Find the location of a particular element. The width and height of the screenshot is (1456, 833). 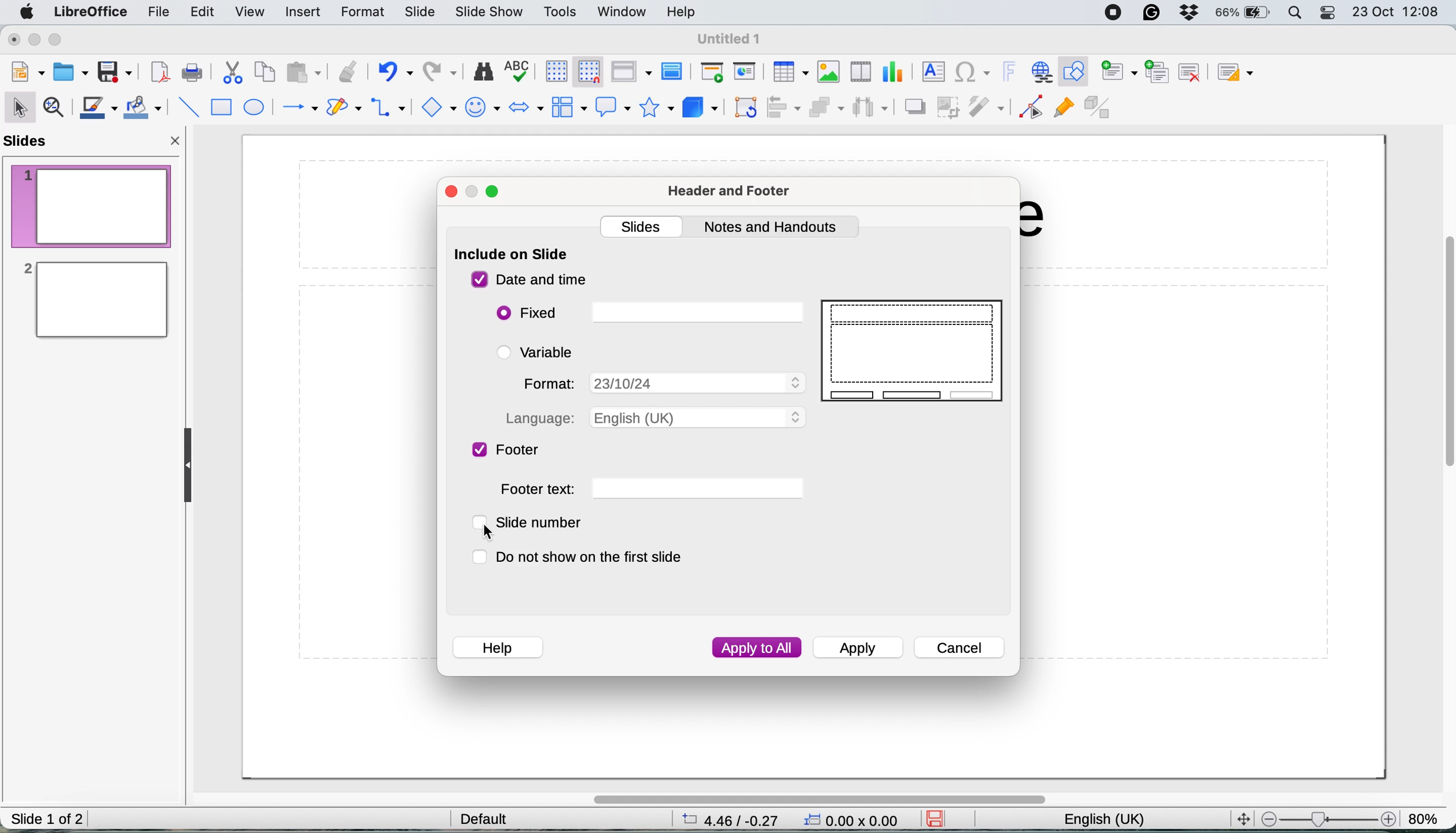

spotlight search is located at coordinates (1296, 13).